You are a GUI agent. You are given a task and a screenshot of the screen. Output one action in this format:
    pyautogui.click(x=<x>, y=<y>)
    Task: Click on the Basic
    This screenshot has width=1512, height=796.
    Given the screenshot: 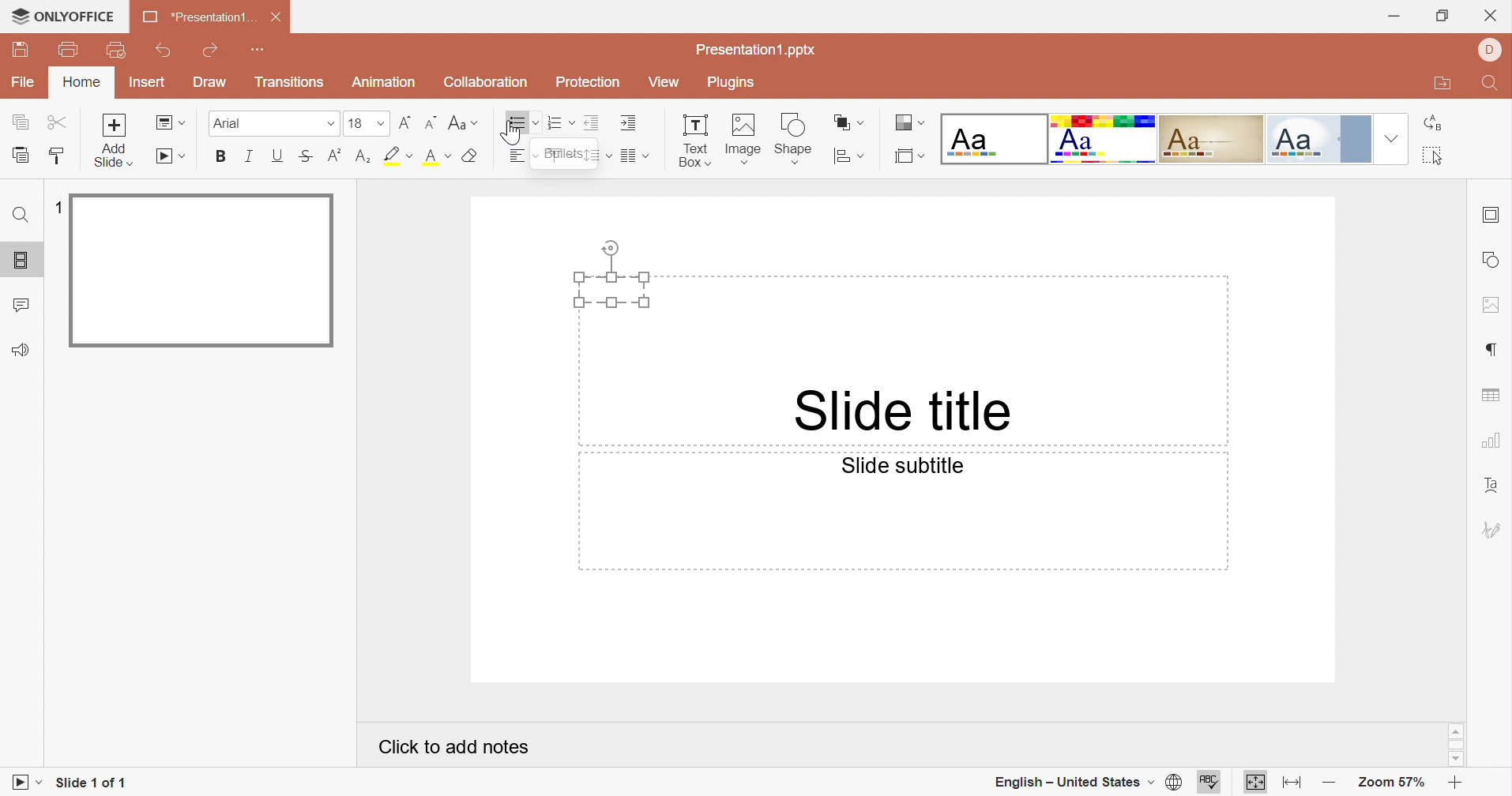 What is the action you would take?
    pyautogui.click(x=1106, y=141)
    